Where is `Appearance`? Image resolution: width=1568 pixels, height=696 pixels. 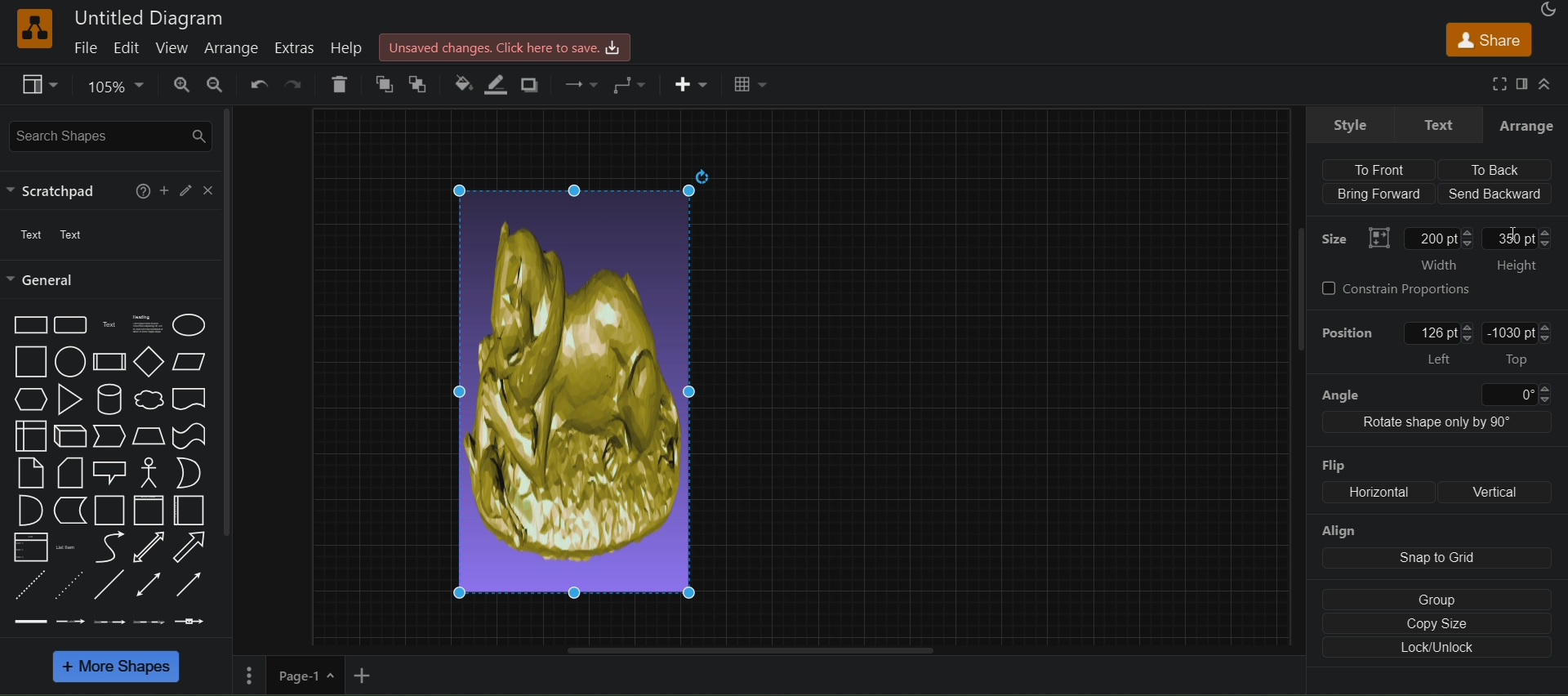
Appearance is located at coordinates (1547, 9).